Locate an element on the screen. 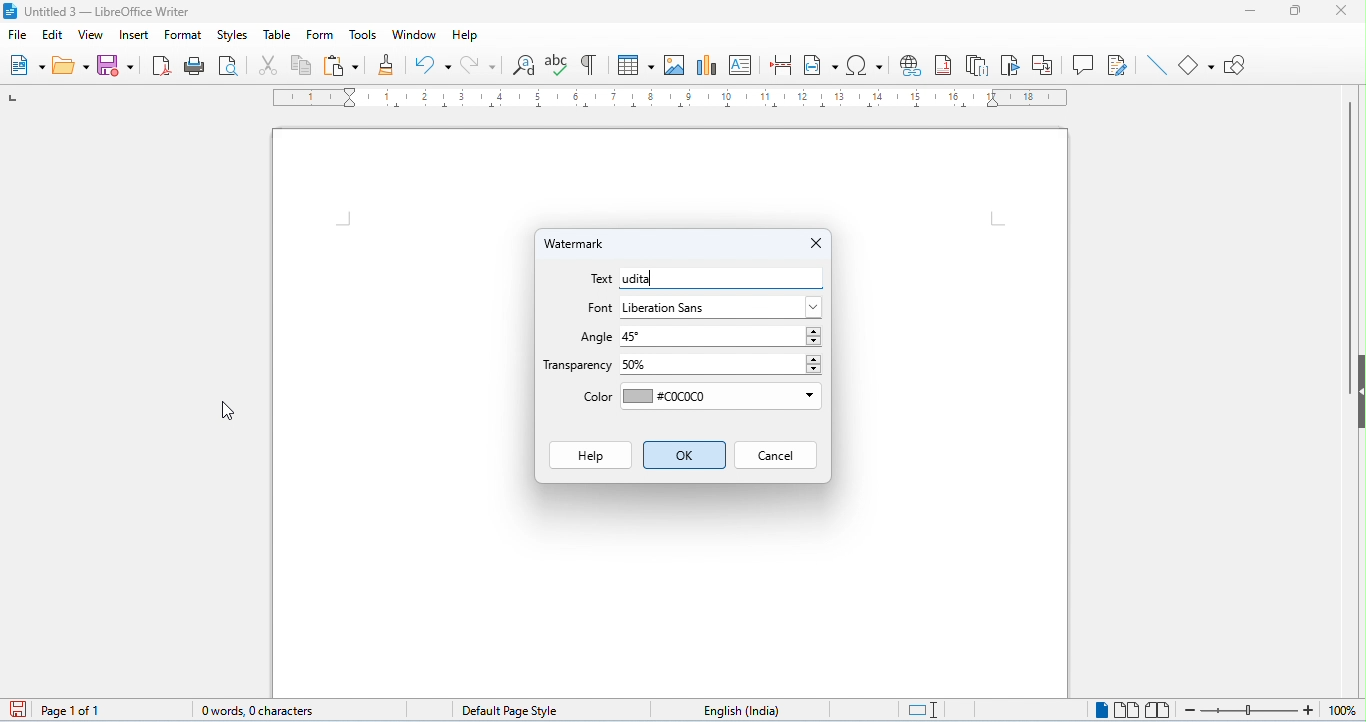 This screenshot has width=1366, height=722. show draw functions is located at coordinates (1236, 67).